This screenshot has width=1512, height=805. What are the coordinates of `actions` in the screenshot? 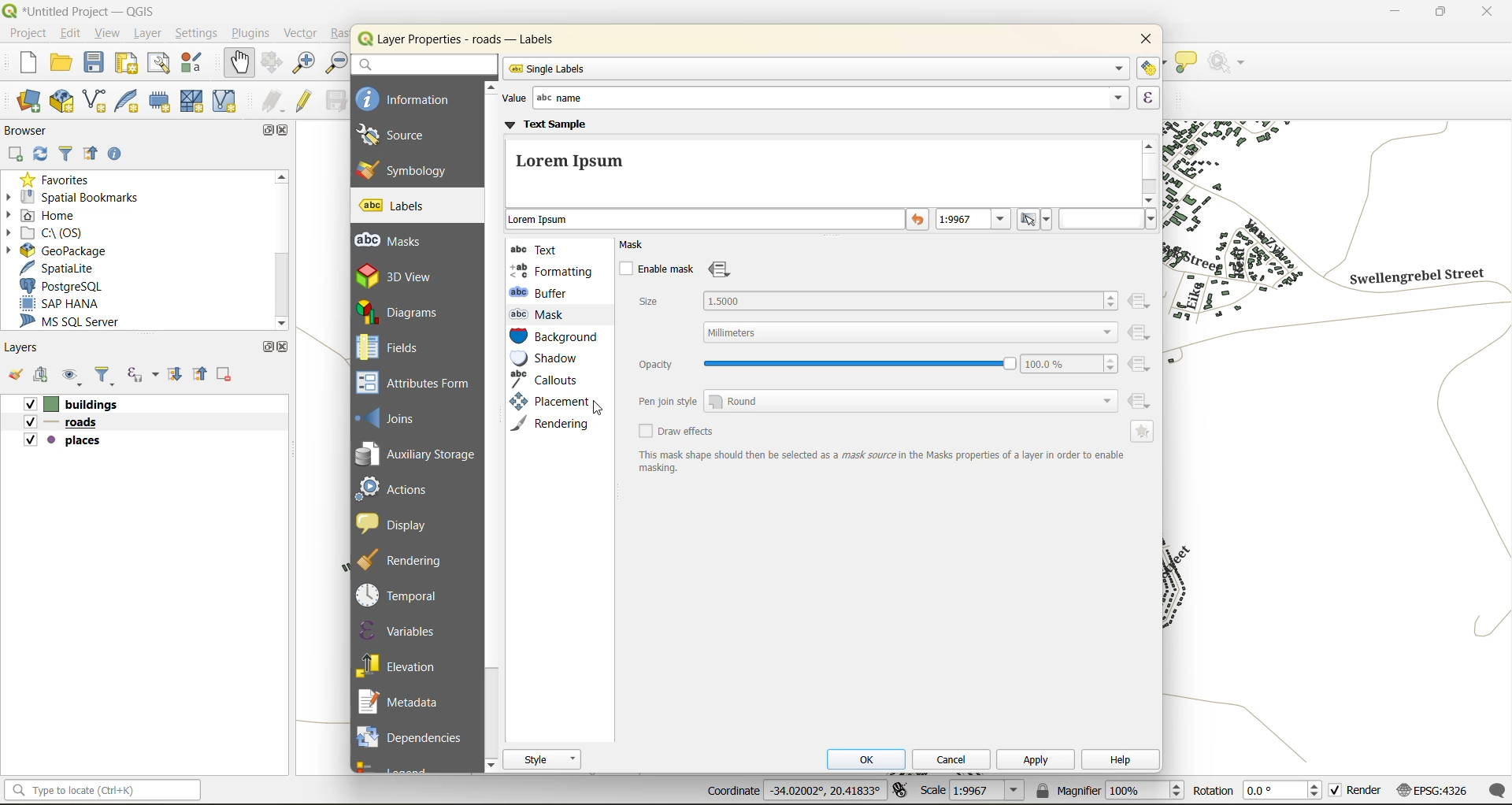 It's located at (402, 488).